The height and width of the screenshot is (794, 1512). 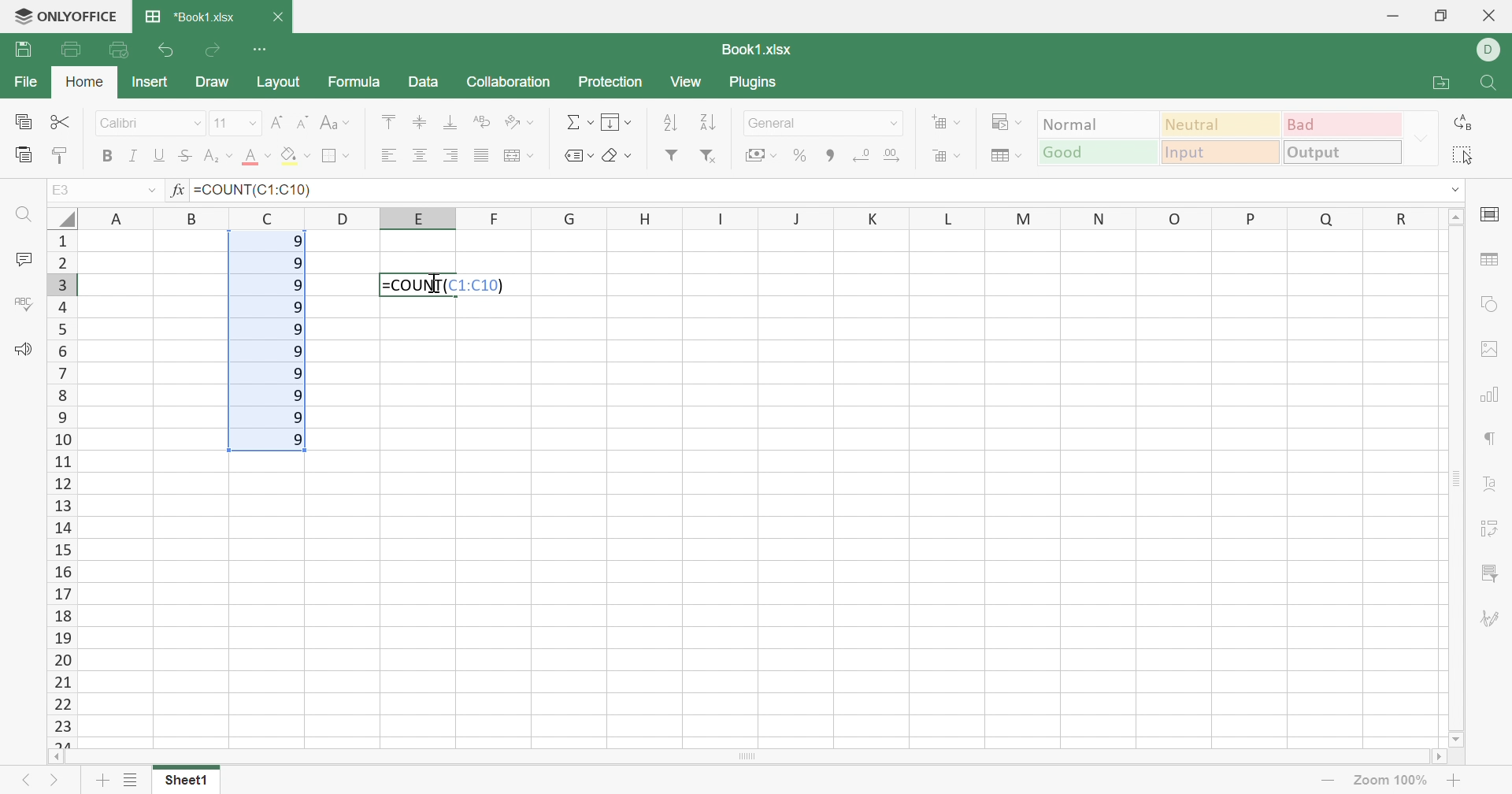 What do you see at coordinates (419, 155) in the screenshot?
I see `Align Center` at bounding box center [419, 155].